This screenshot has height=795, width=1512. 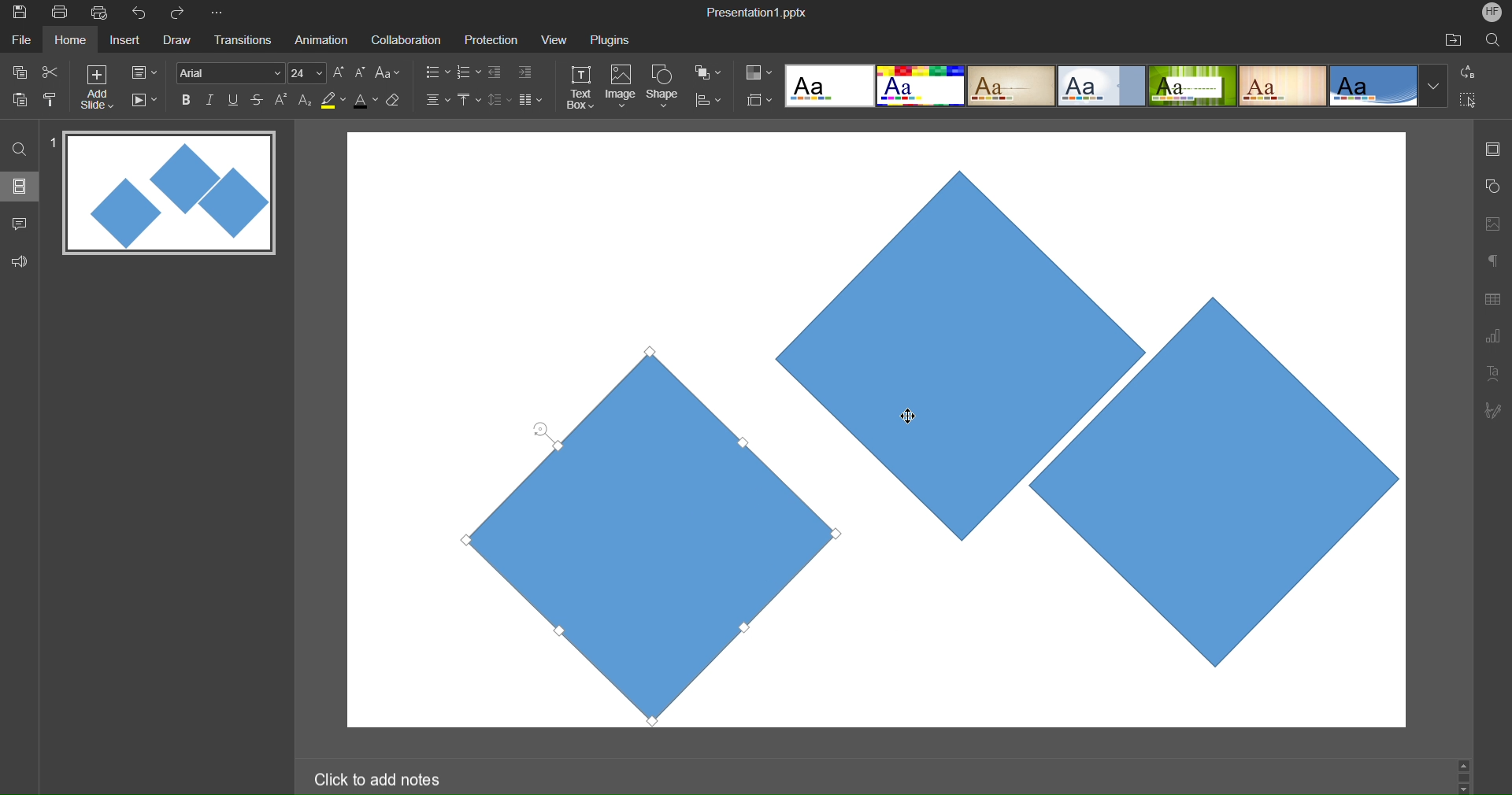 What do you see at coordinates (913, 411) in the screenshot?
I see `Cursor` at bounding box center [913, 411].